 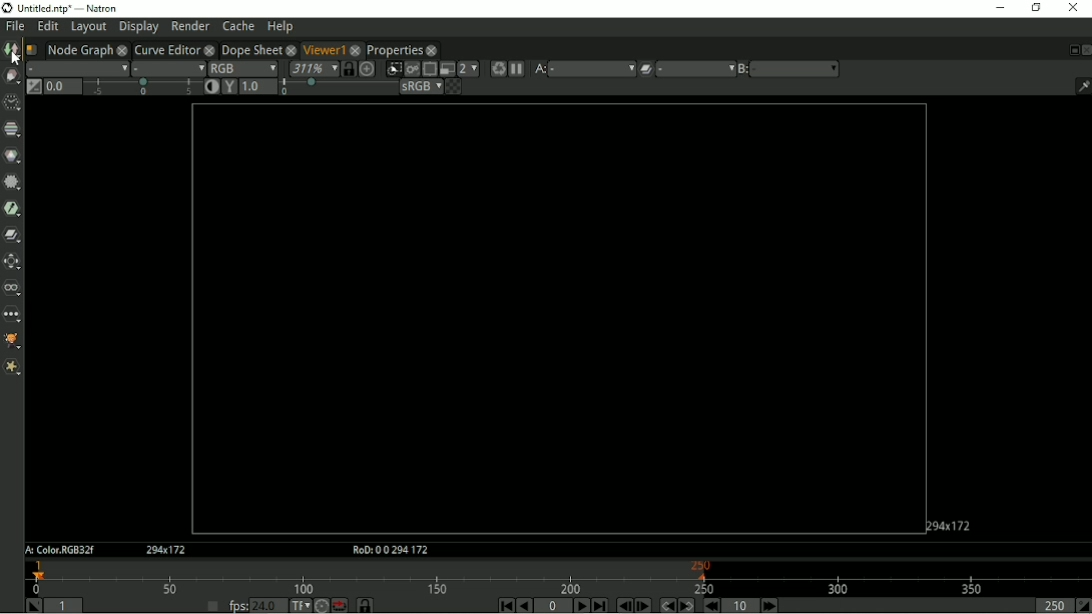 What do you see at coordinates (446, 69) in the screenshot?
I see `Proxy mode` at bounding box center [446, 69].